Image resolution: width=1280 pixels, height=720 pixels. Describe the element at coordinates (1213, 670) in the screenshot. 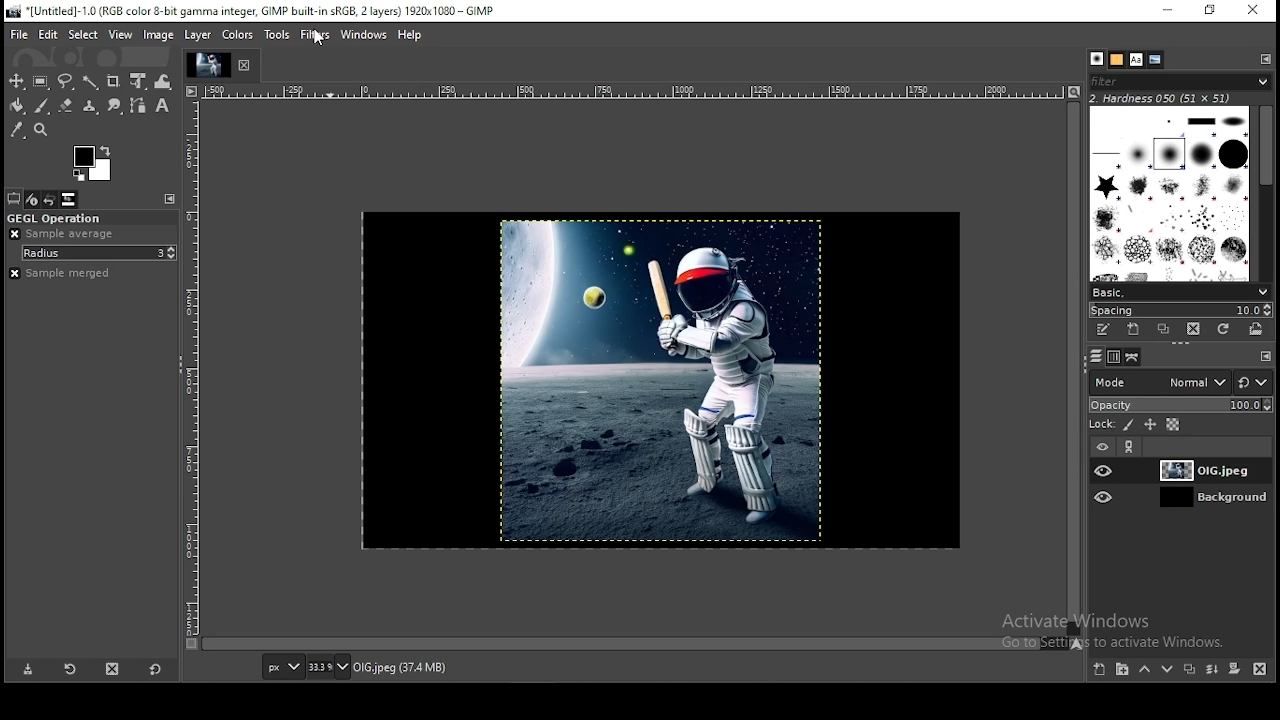

I see `merge this layer` at that location.